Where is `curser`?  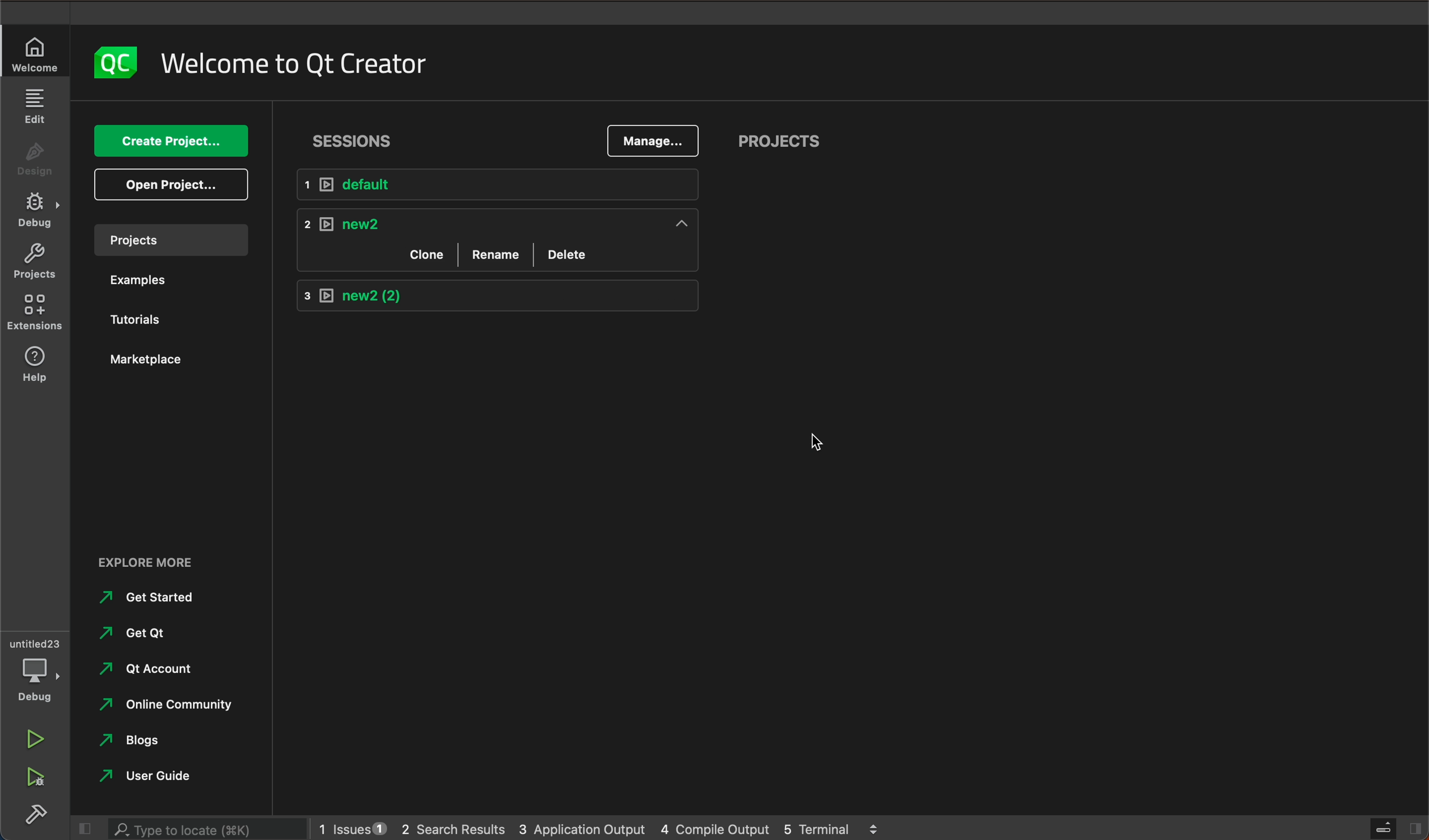
curser is located at coordinates (818, 444).